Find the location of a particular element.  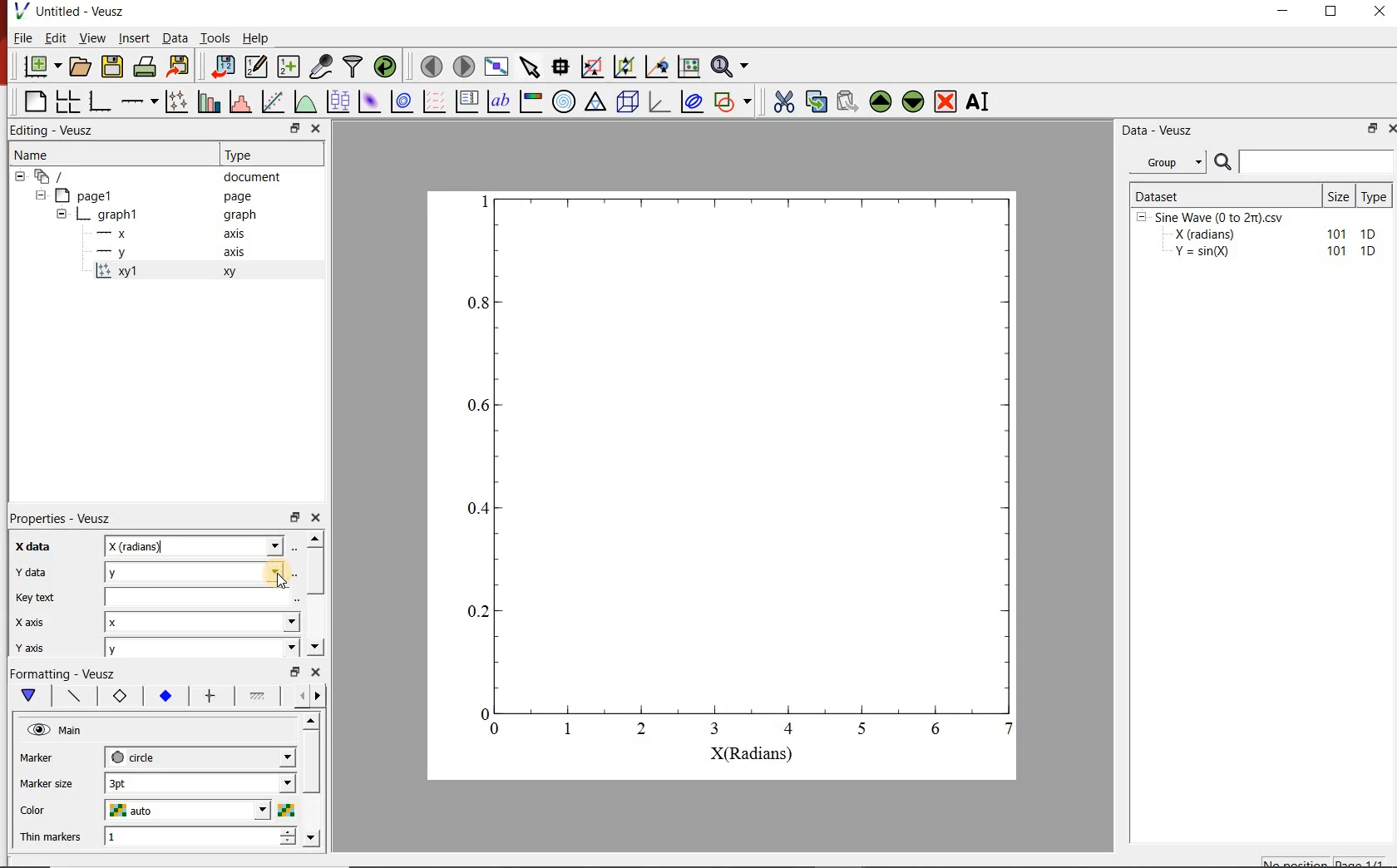

zoom functions menu is located at coordinates (732, 64).